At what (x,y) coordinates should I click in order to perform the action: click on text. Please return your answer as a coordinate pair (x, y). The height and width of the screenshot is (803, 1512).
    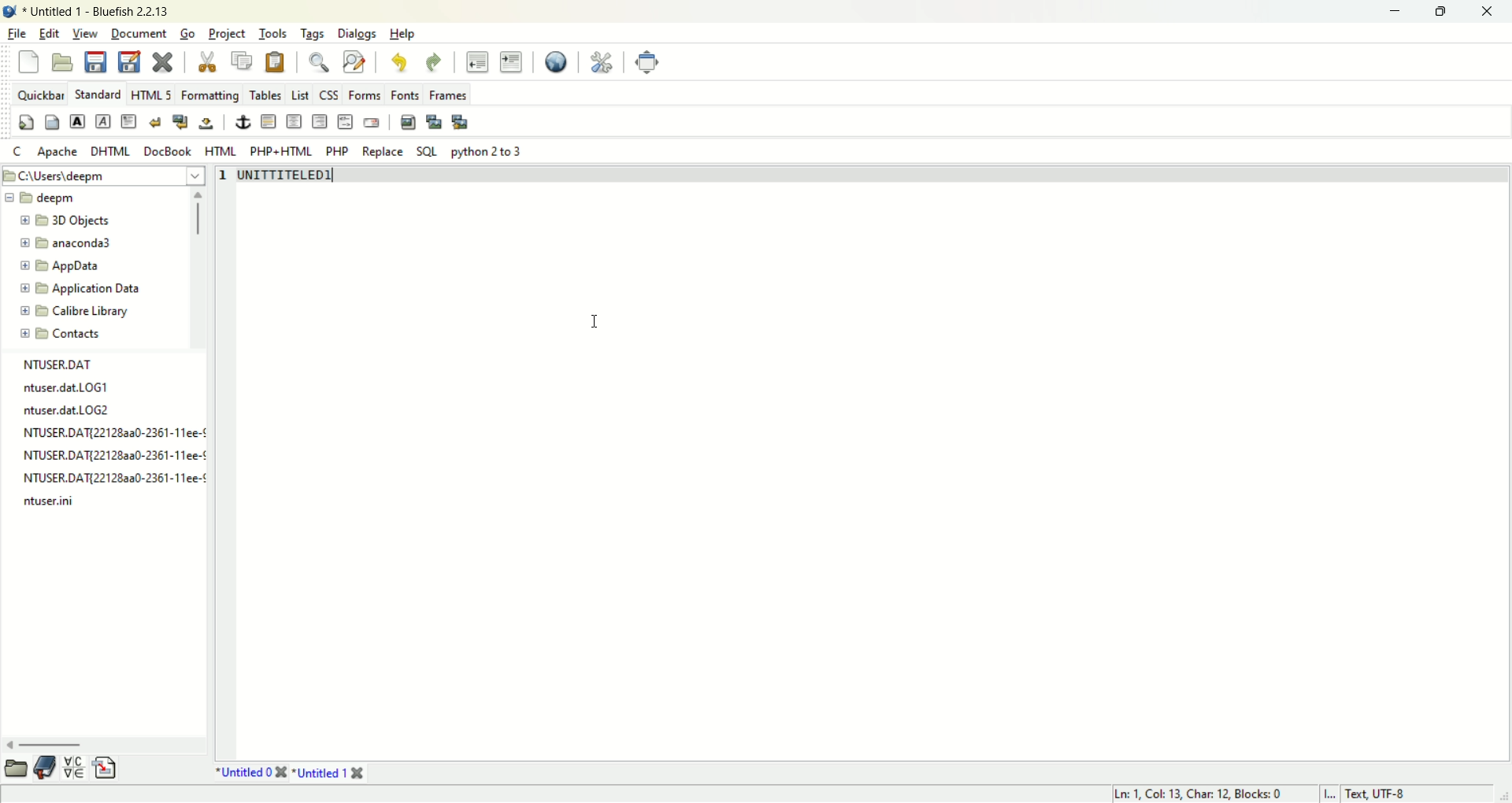
    Looking at the image, I should click on (108, 432).